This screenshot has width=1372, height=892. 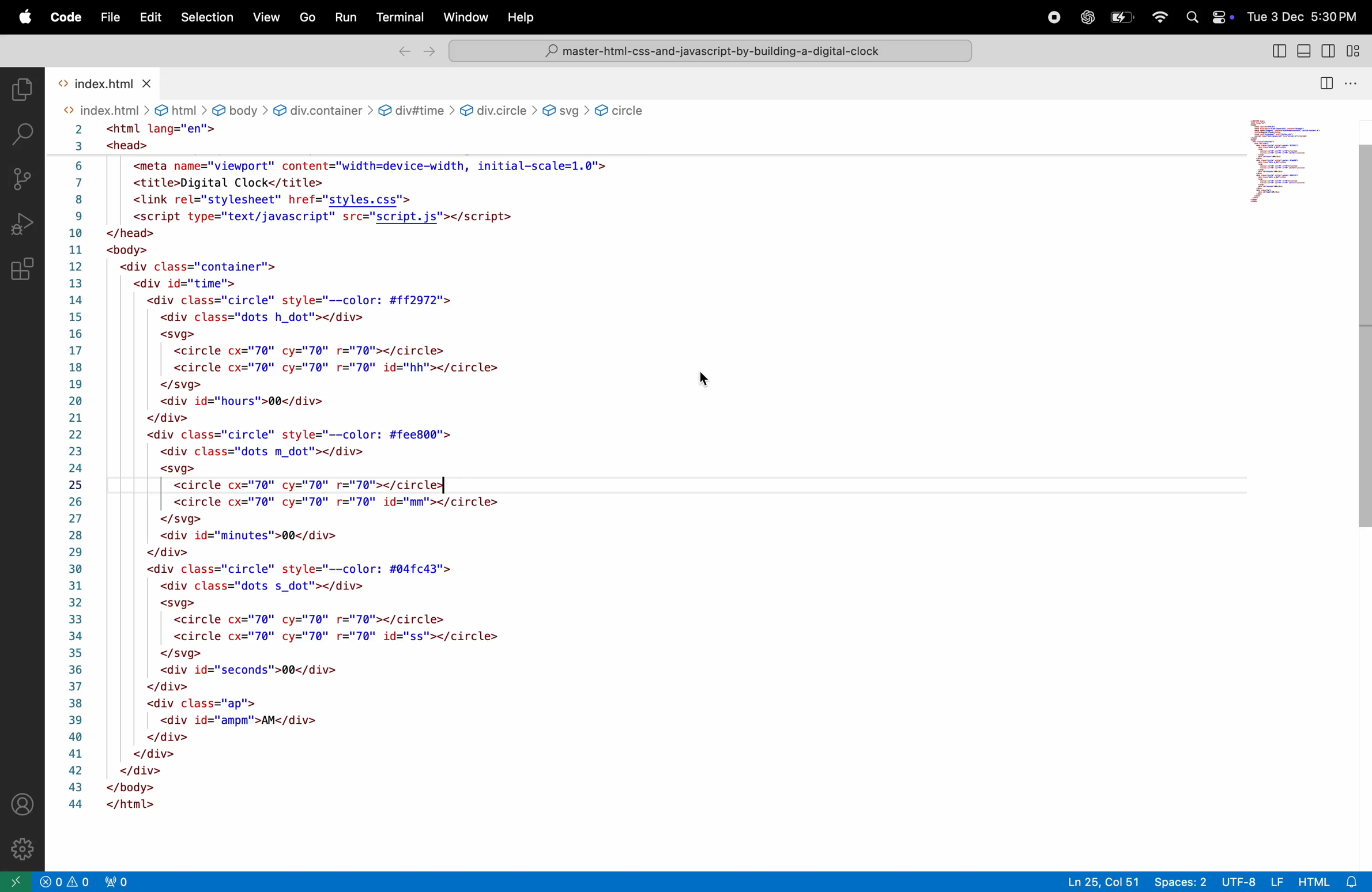 I want to click on view, so click(x=265, y=18).